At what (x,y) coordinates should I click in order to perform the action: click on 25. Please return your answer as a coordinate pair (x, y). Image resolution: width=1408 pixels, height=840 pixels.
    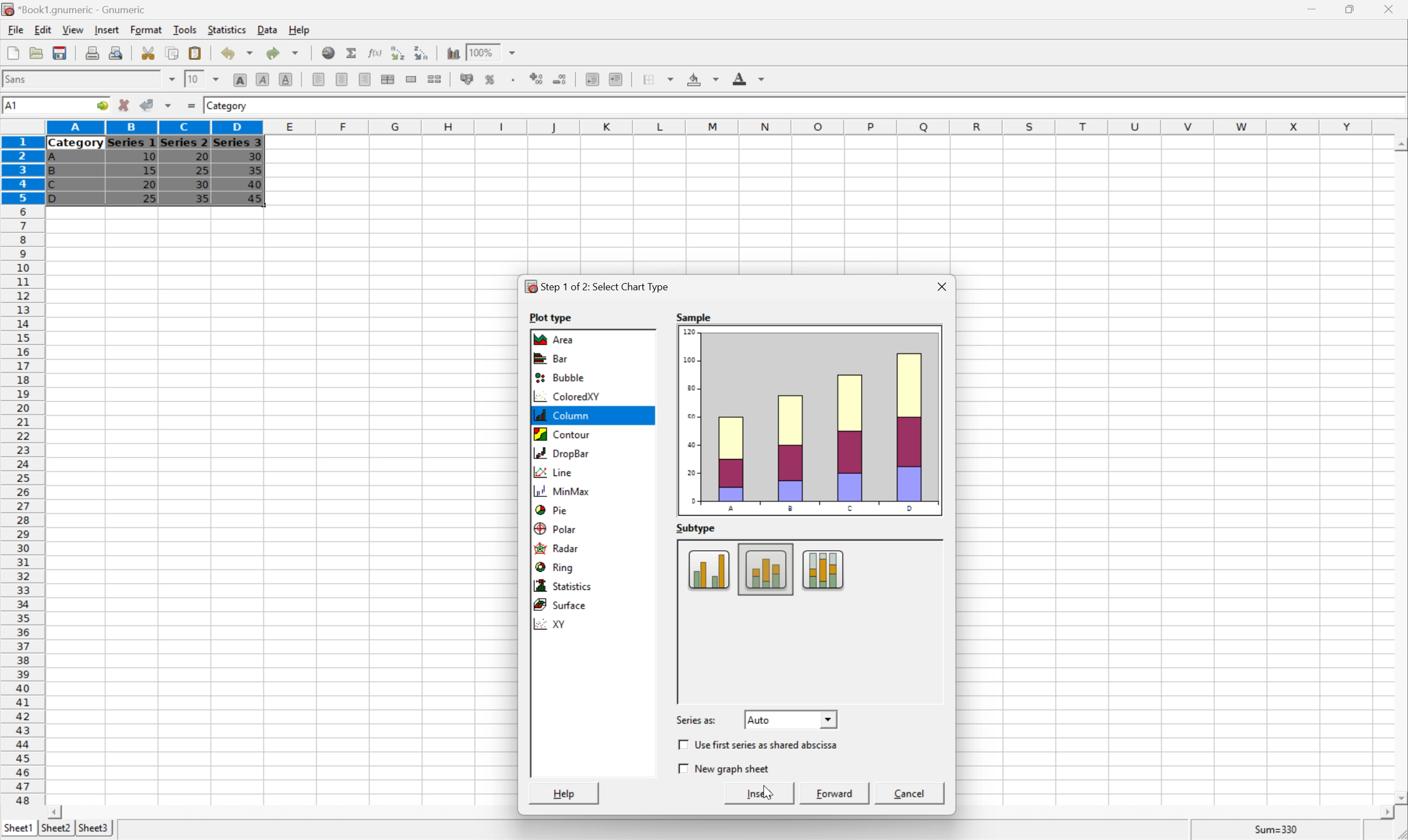
    Looking at the image, I should click on (149, 199).